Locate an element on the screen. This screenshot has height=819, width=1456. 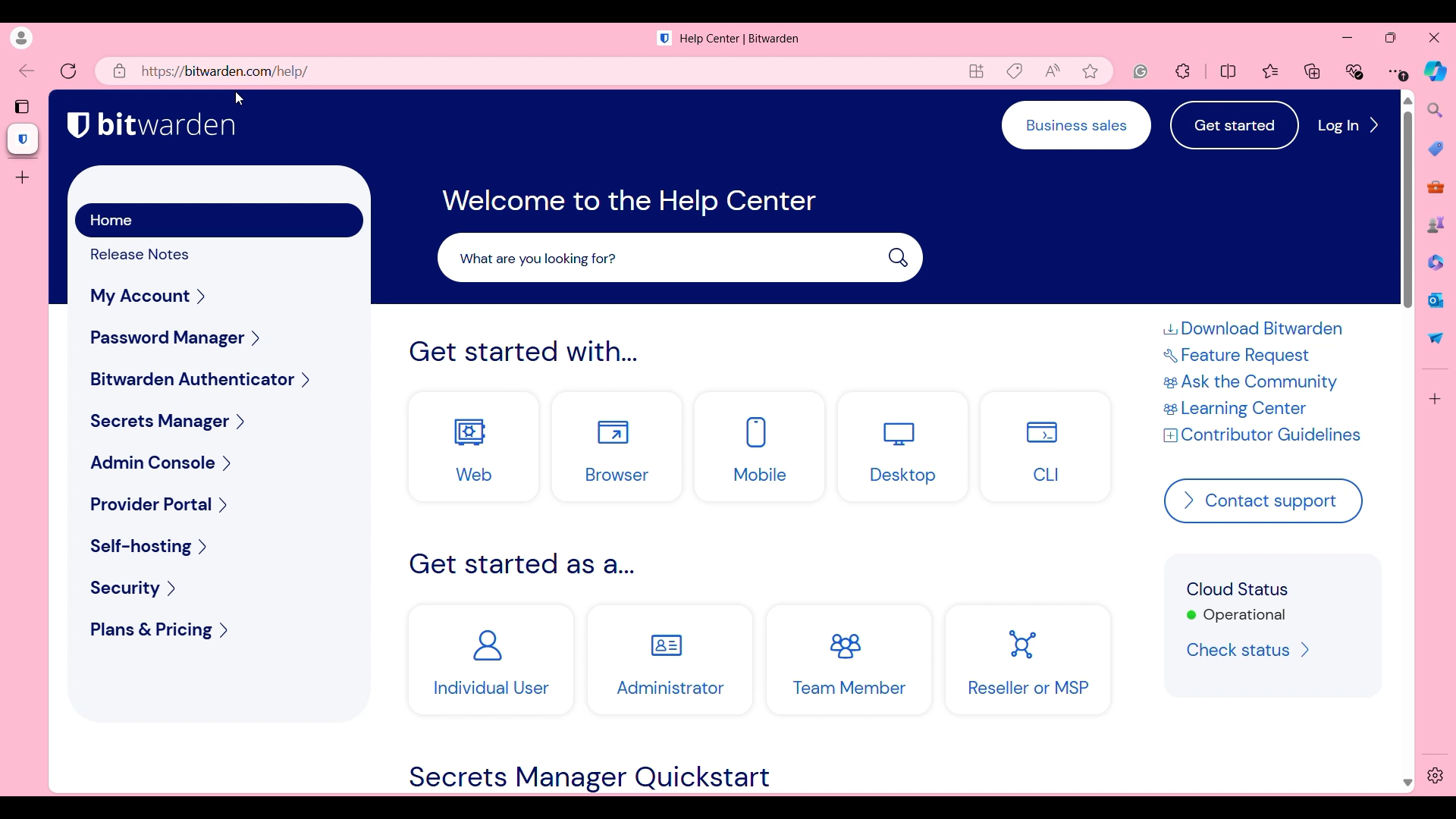
More settings is located at coordinates (1398, 71).